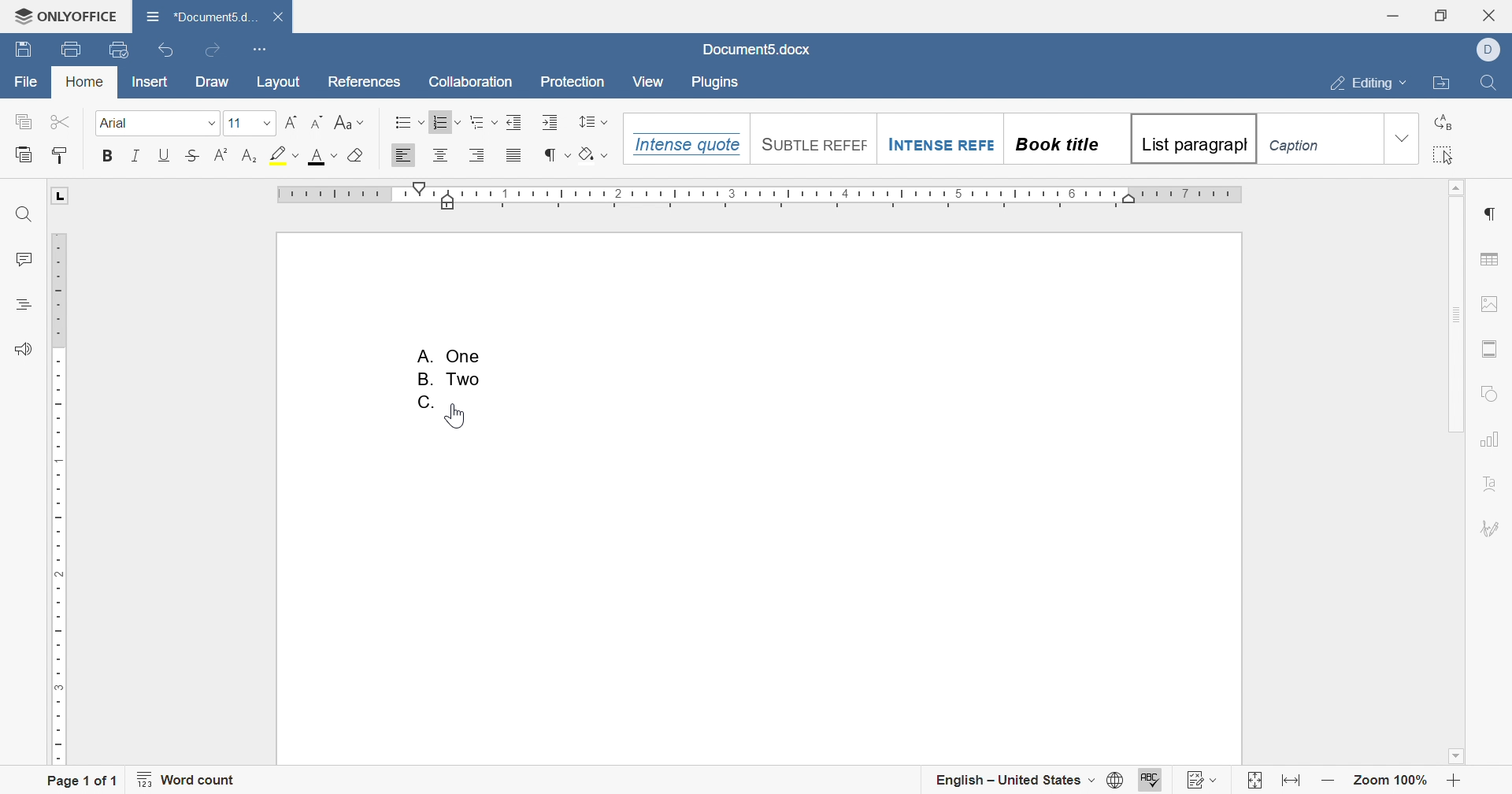 The image size is (1512, 794). Describe the element at coordinates (165, 50) in the screenshot. I see `undo` at that location.